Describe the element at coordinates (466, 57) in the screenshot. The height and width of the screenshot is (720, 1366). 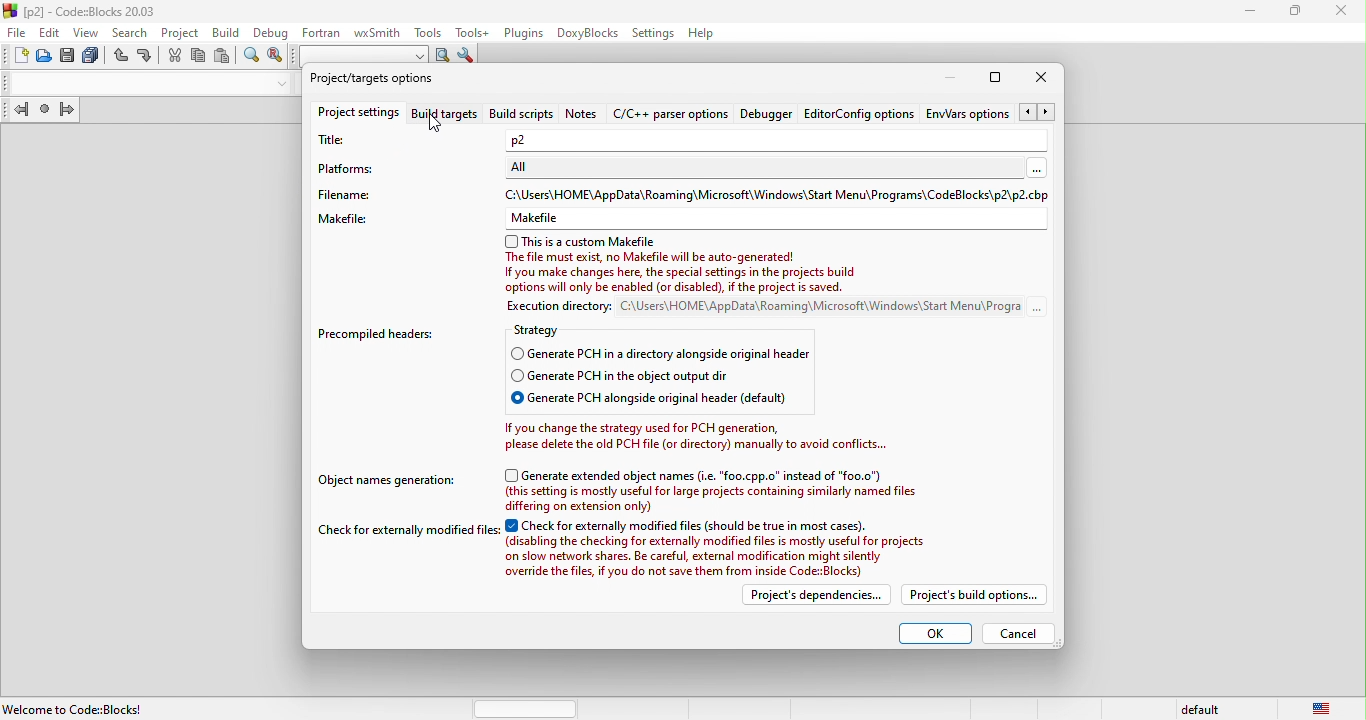
I see `show options window` at that location.